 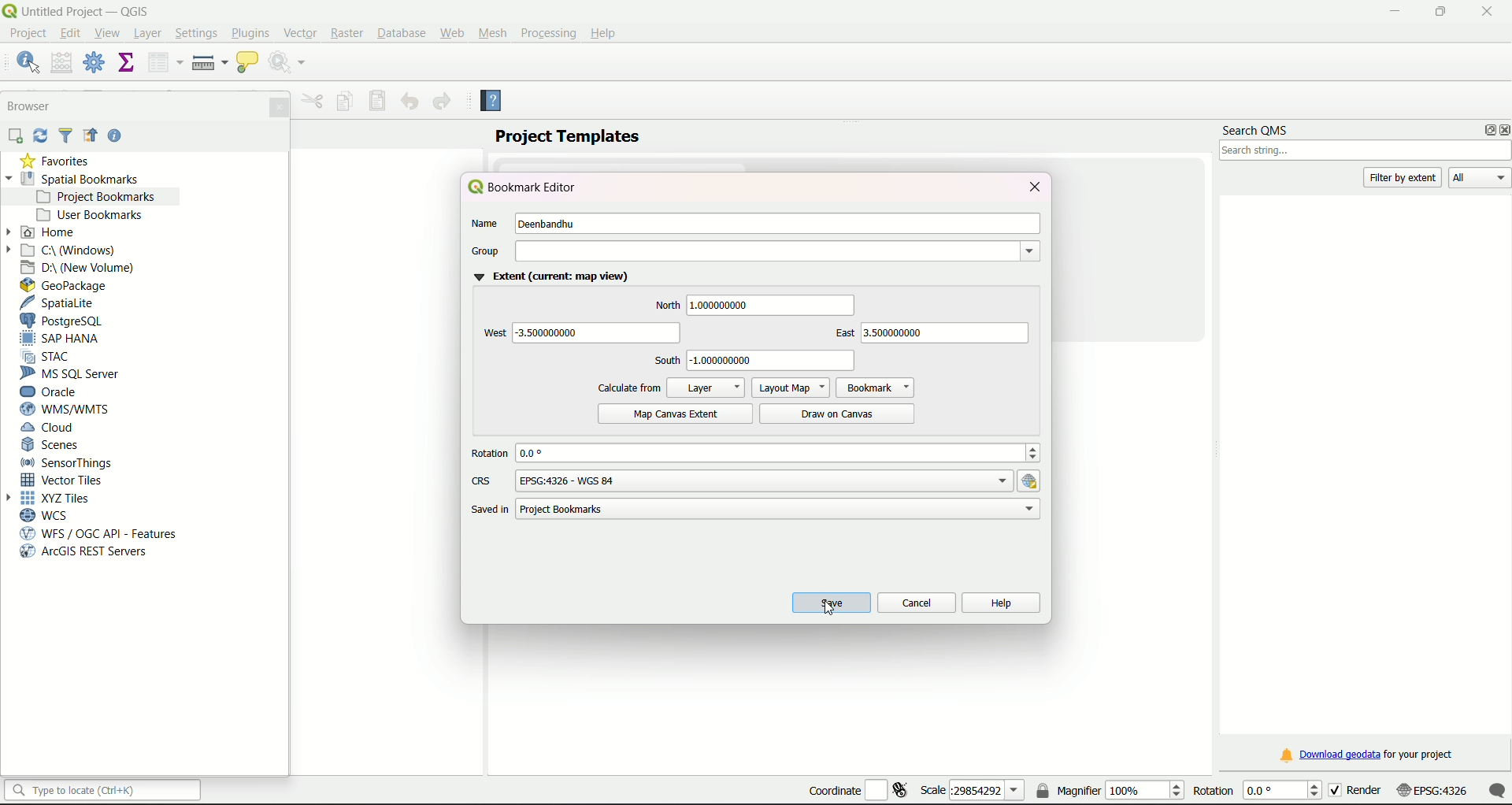 What do you see at coordinates (1255, 128) in the screenshot?
I see `search QMS` at bounding box center [1255, 128].